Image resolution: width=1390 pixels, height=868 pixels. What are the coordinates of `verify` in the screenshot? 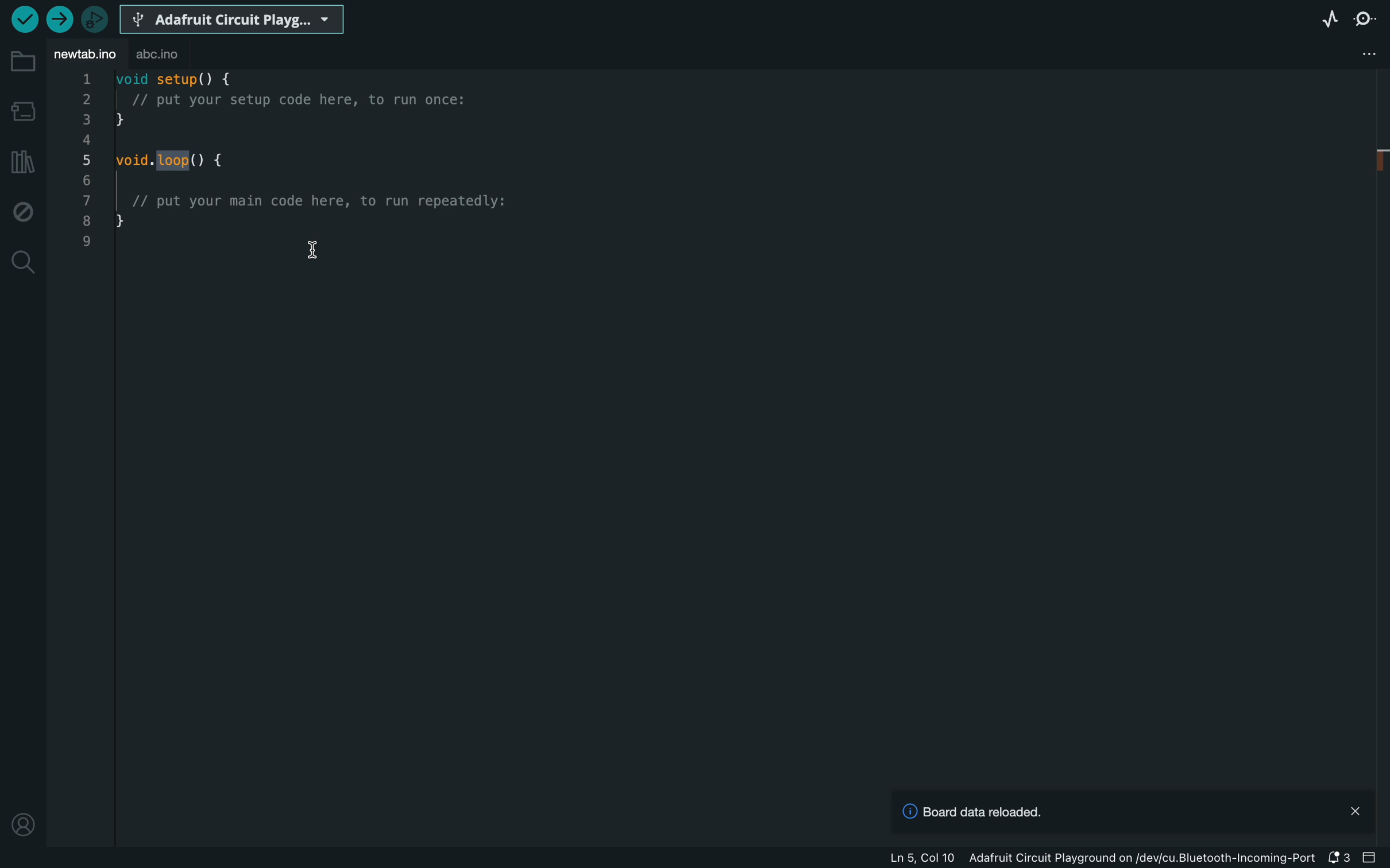 It's located at (25, 20).